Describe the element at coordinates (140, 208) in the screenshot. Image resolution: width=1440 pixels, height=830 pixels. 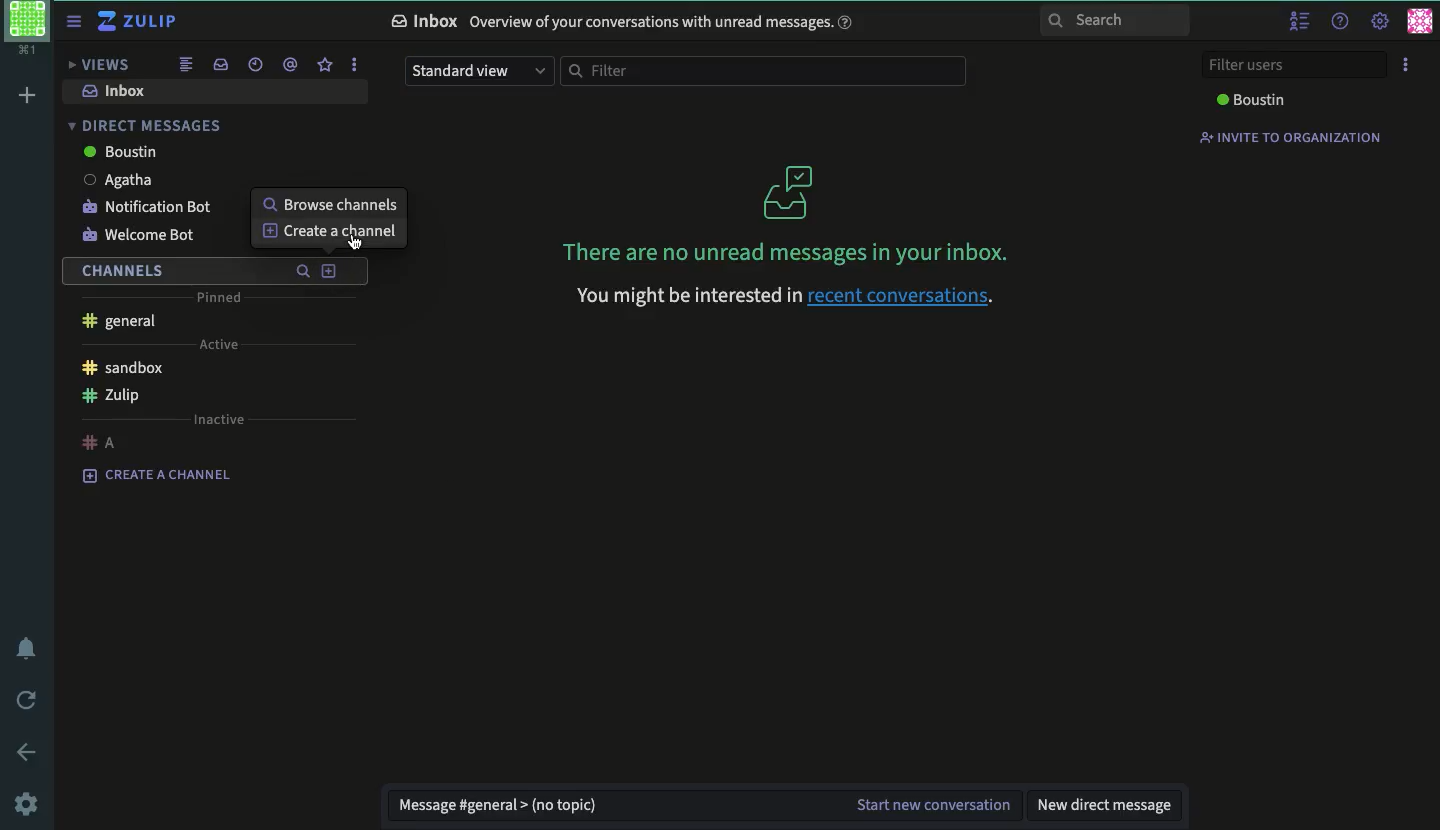
I see `notification bot` at that location.